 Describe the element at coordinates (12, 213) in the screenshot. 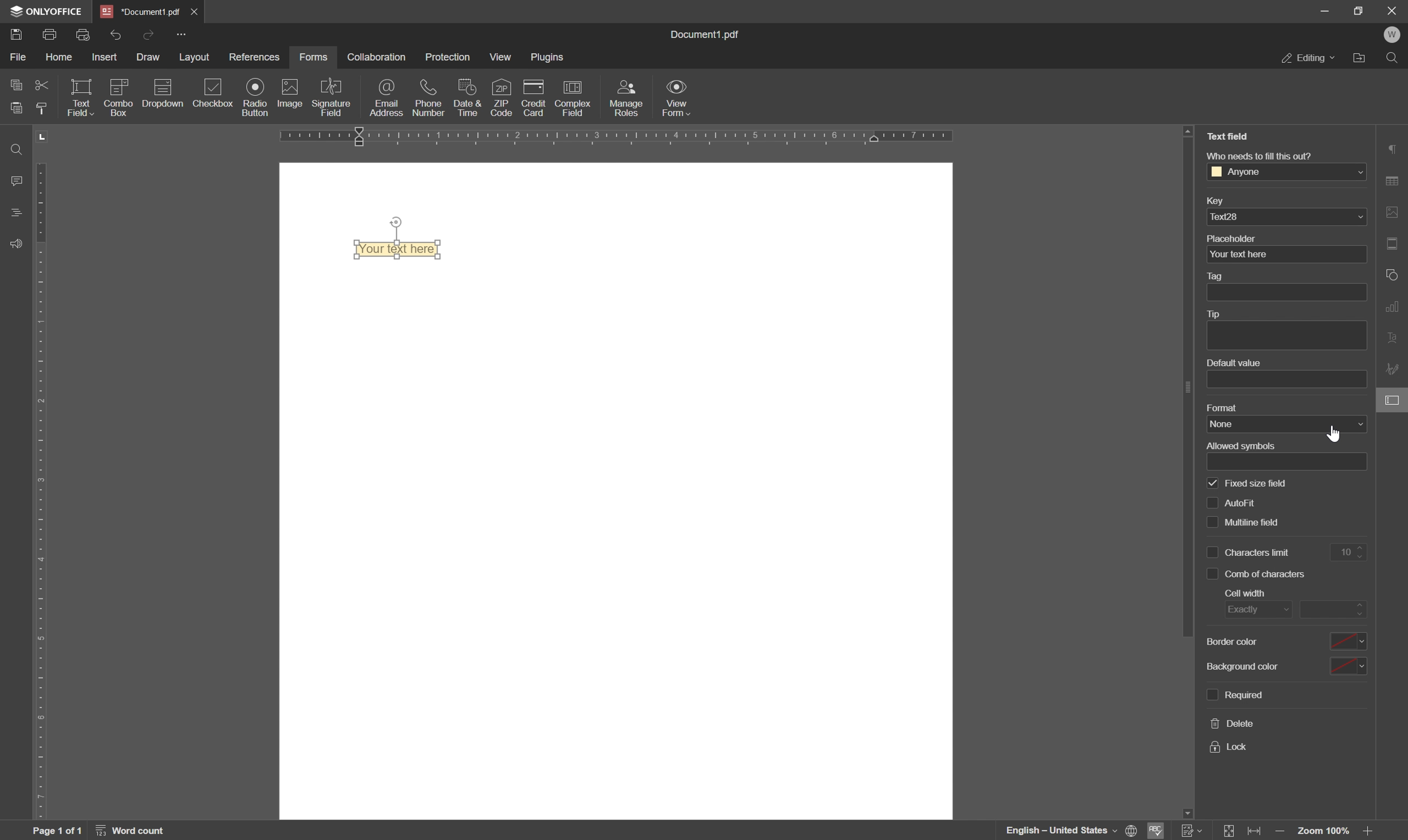

I see `headings` at that location.